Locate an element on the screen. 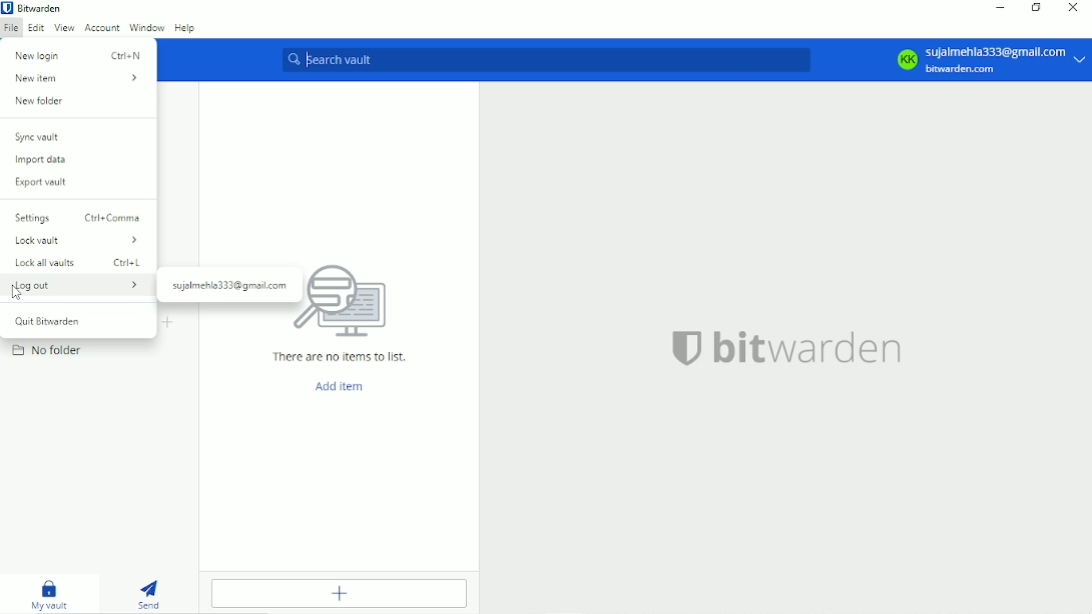 The width and height of the screenshot is (1092, 614). New item > is located at coordinates (77, 79).